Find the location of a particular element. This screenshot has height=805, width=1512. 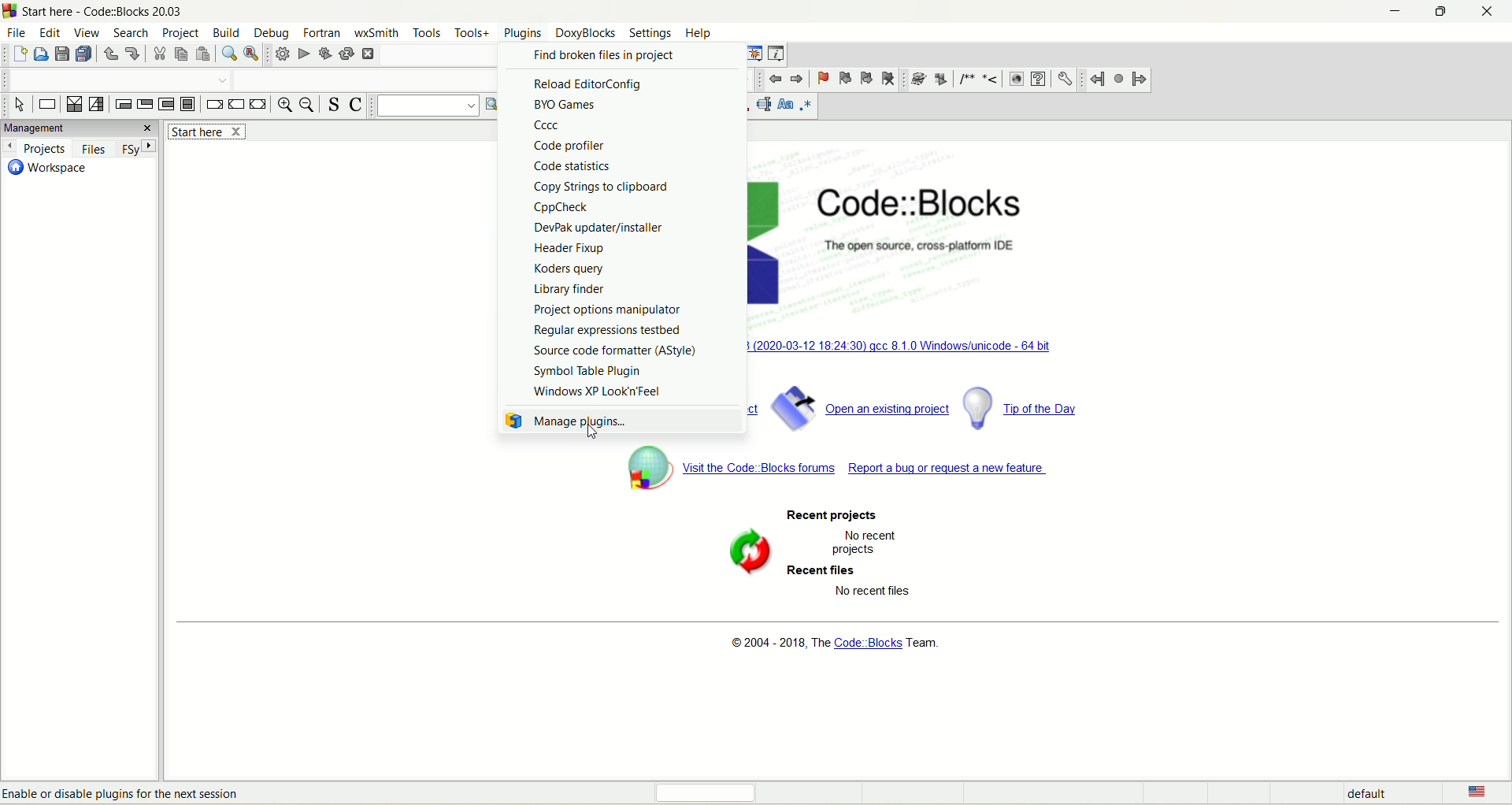

cut is located at coordinates (157, 57).